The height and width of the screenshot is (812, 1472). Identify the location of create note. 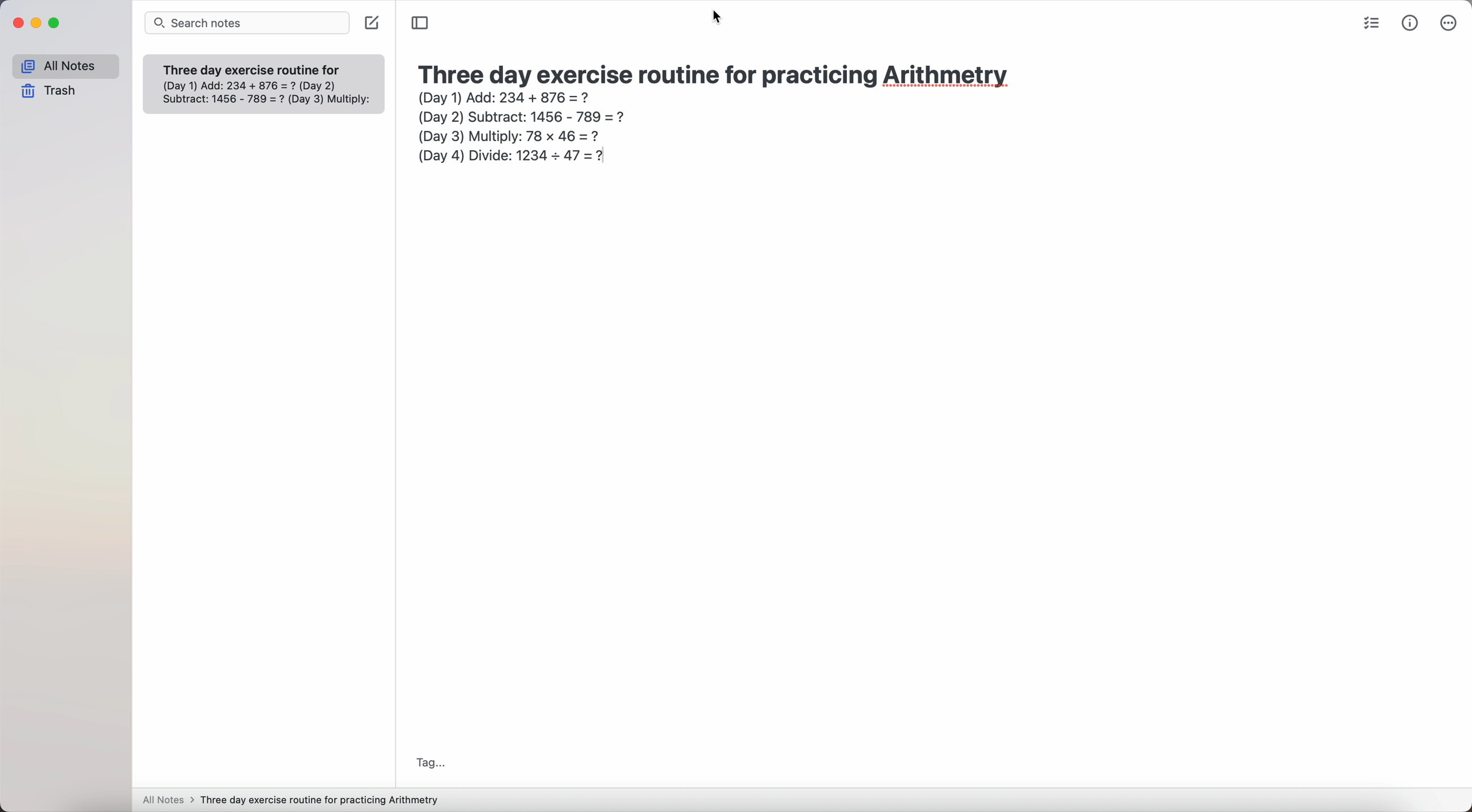
(372, 24).